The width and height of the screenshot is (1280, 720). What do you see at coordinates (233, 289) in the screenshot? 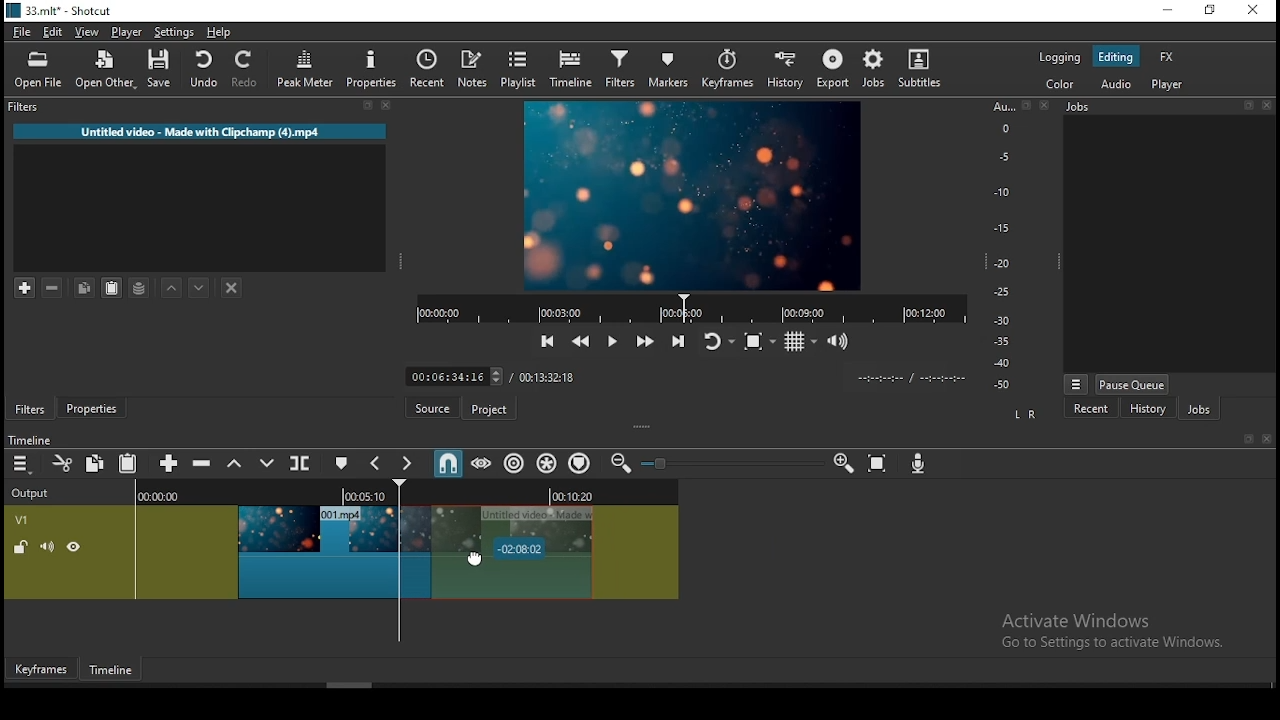
I see `deselct filter` at bounding box center [233, 289].